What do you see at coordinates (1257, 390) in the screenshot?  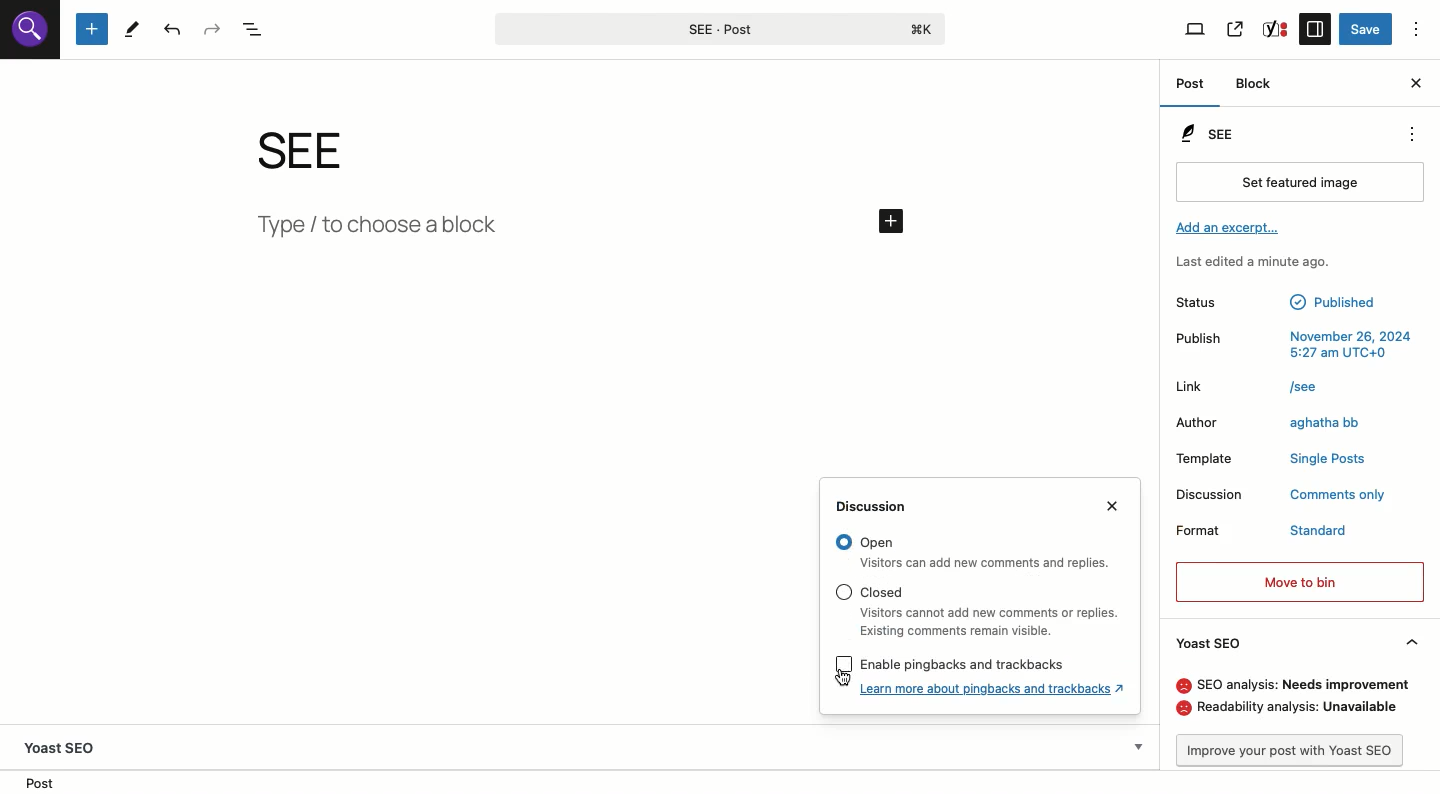 I see `Link /see` at bounding box center [1257, 390].